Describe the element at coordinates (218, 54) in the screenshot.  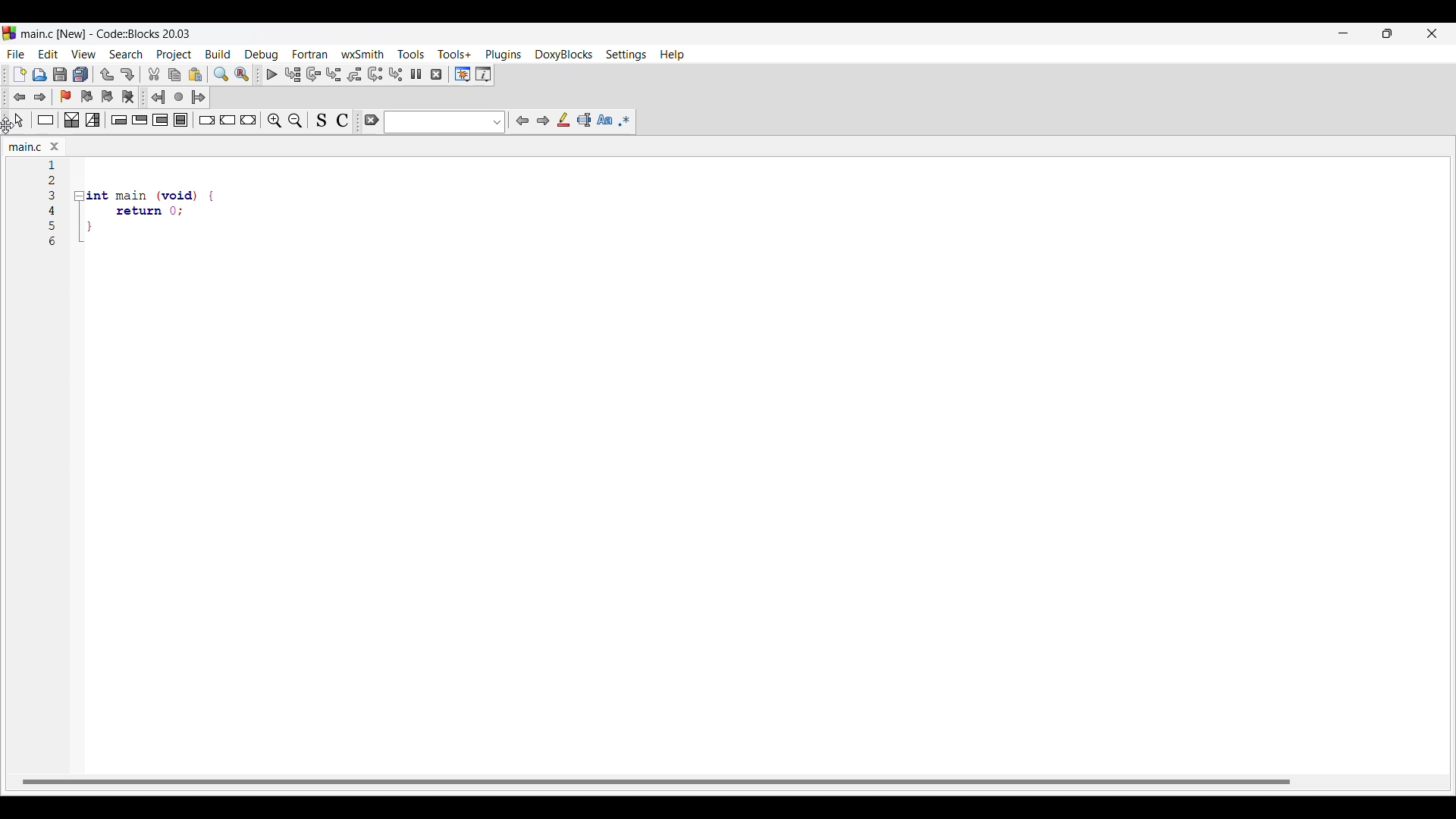
I see `Build menu` at that location.